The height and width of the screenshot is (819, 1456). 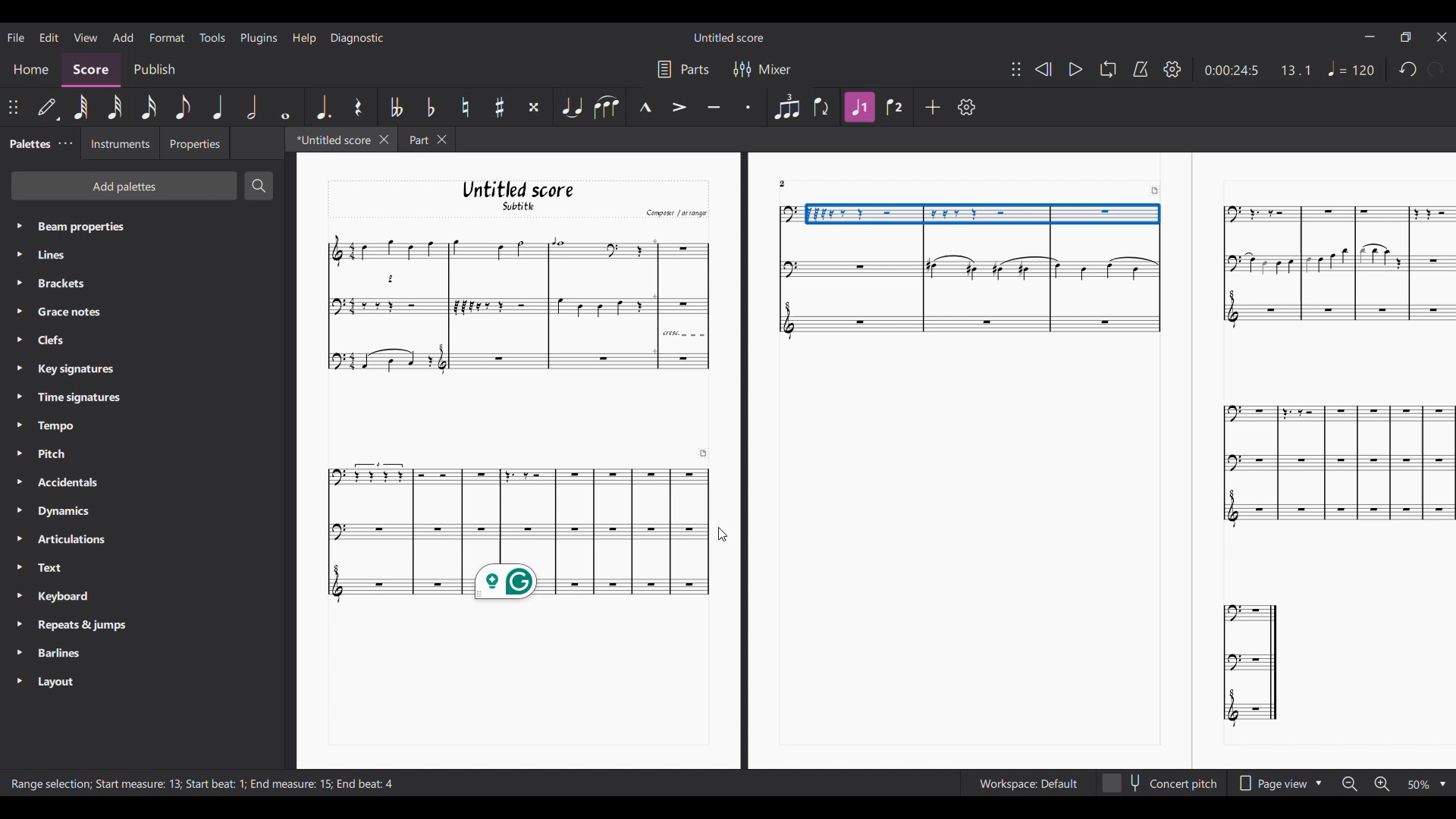 What do you see at coordinates (149, 107) in the screenshot?
I see `16th note` at bounding box center [149, 107].